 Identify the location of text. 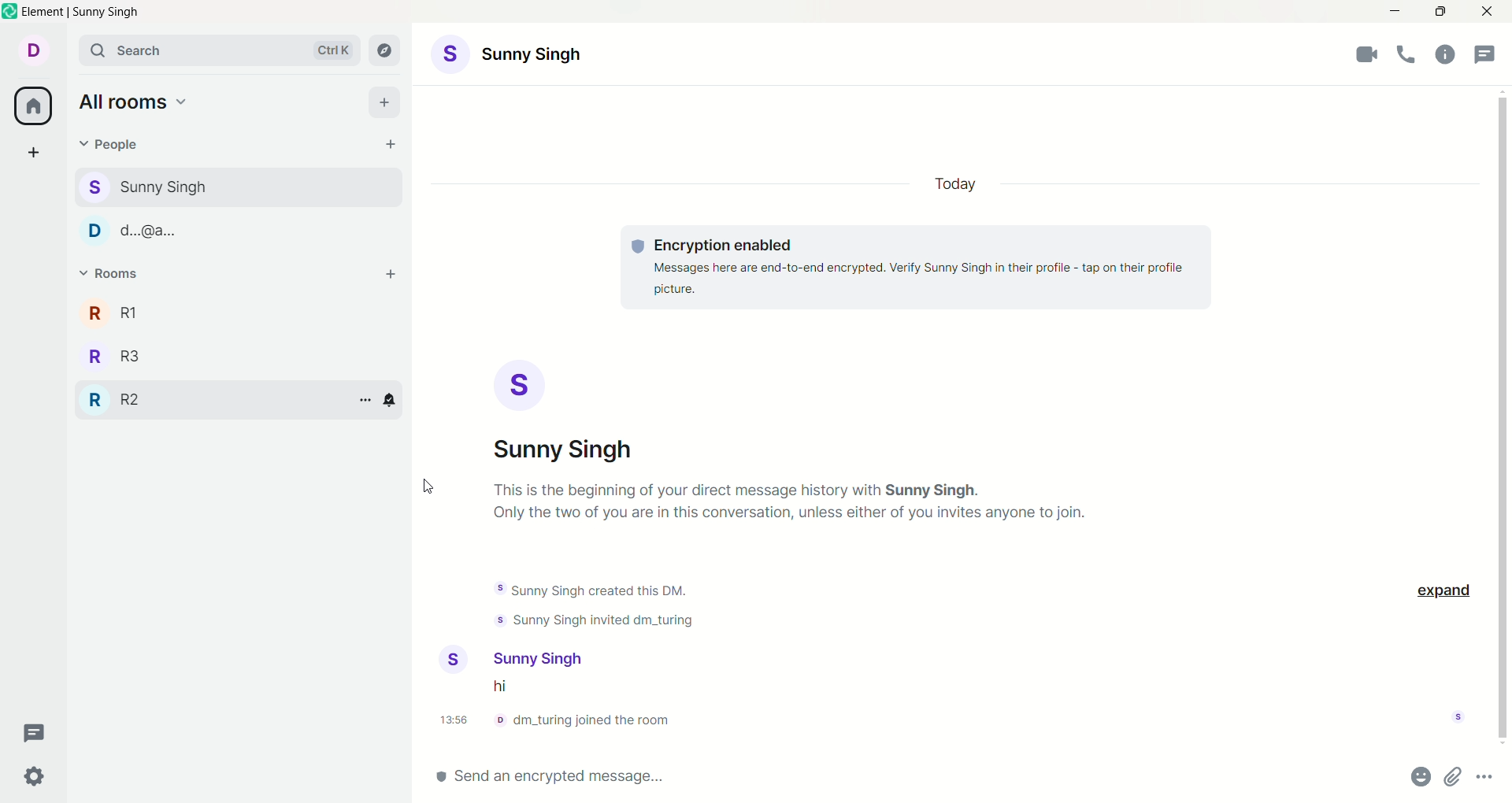
(799, 534).